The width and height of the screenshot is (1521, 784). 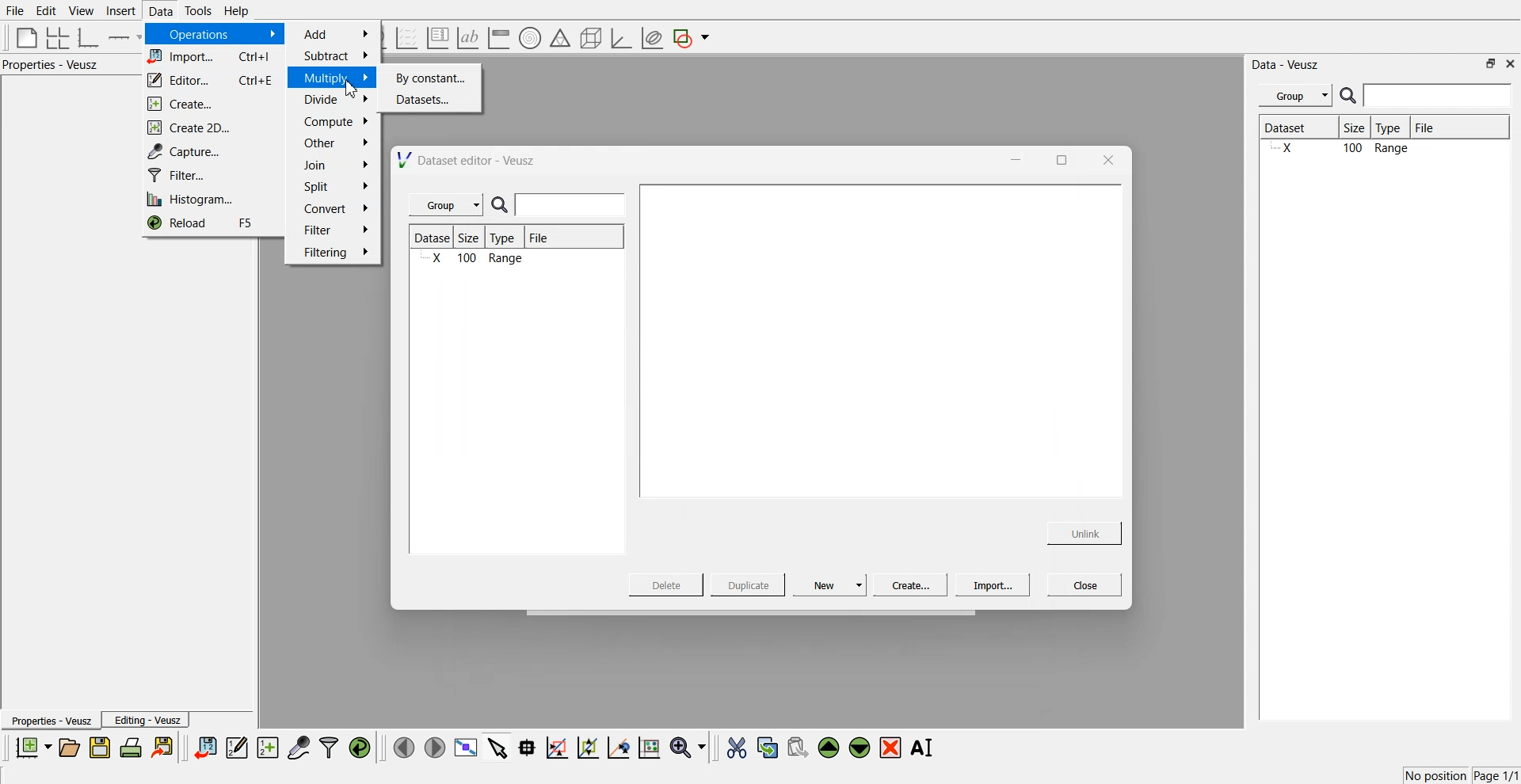 What do you see at coordinates (475, 260) in the screenshot?
I see `X 100 Range` at bounding box center [475, 260].